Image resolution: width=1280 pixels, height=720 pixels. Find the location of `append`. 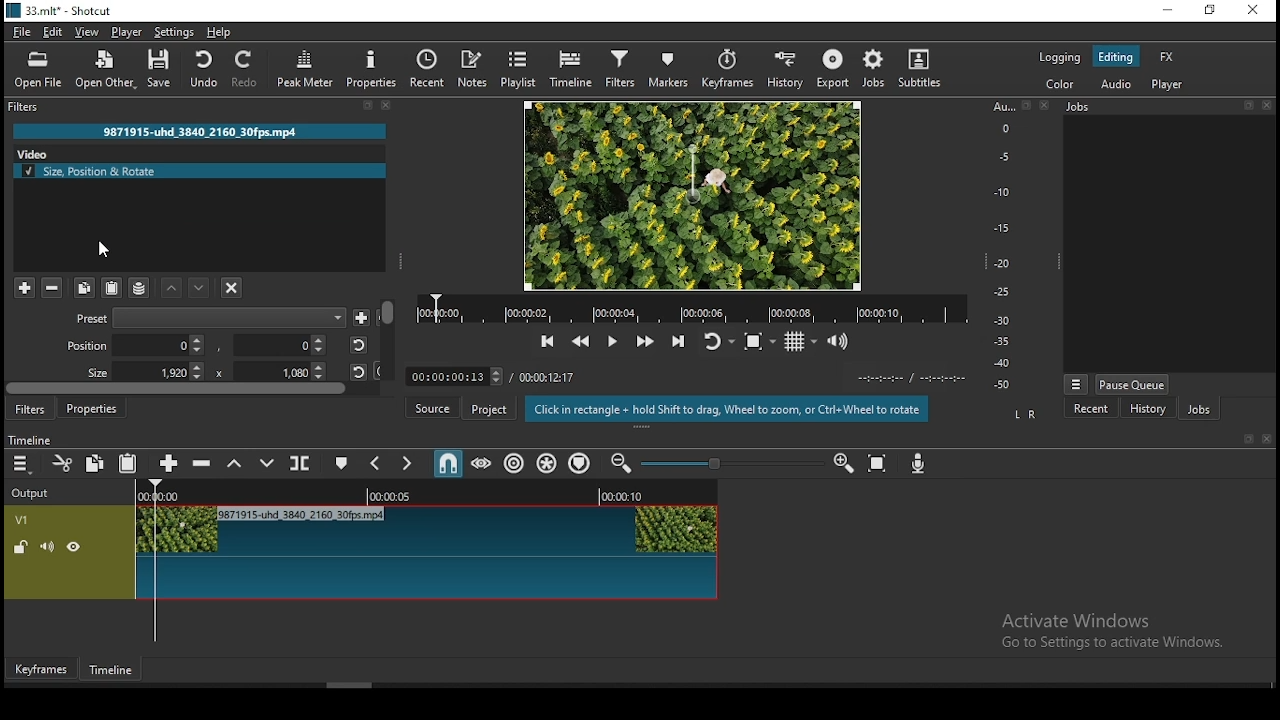

append is located at coordinates (171, 464).